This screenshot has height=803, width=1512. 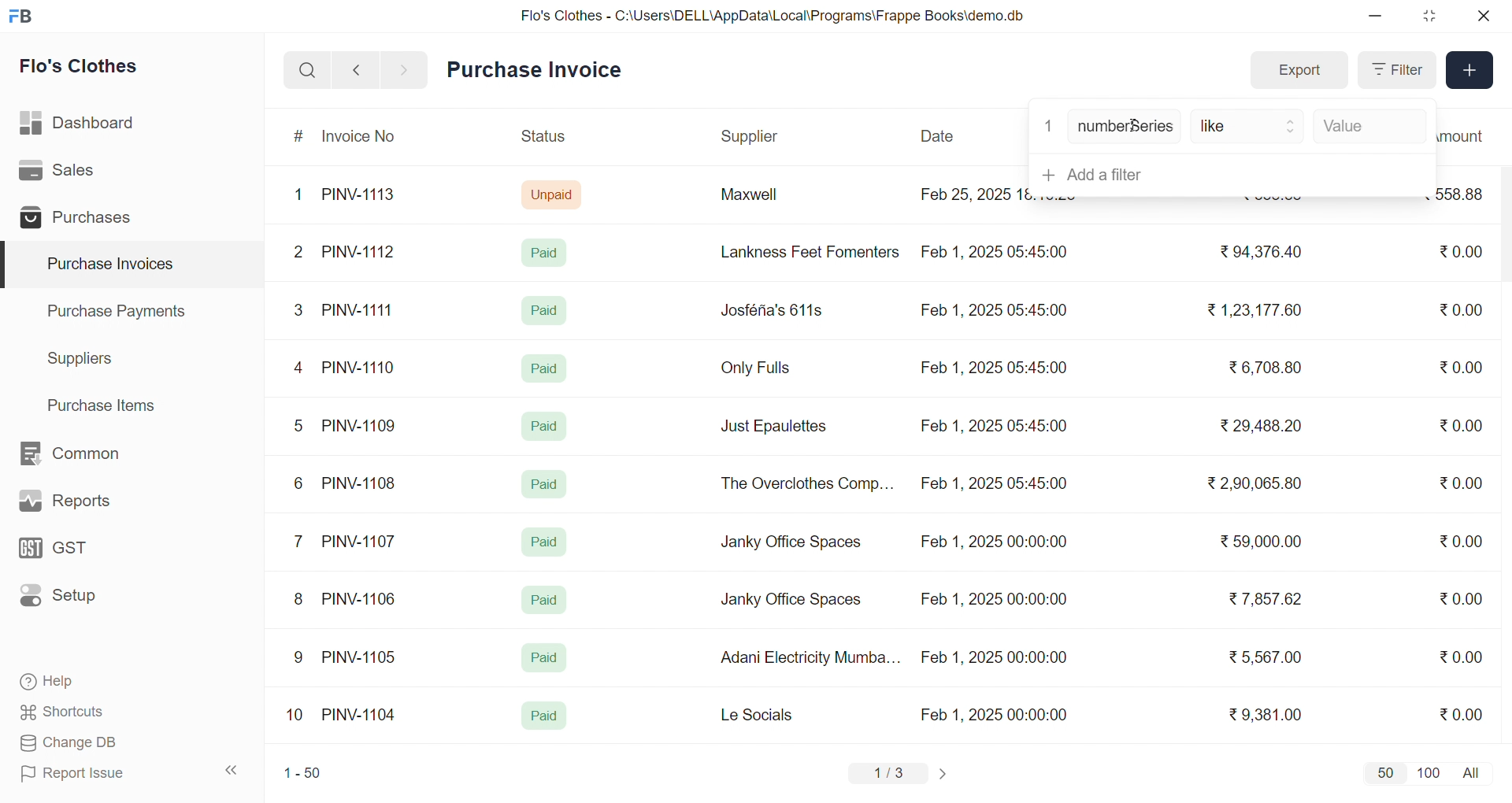 I want to click on 7, so click(x=302, y=540).